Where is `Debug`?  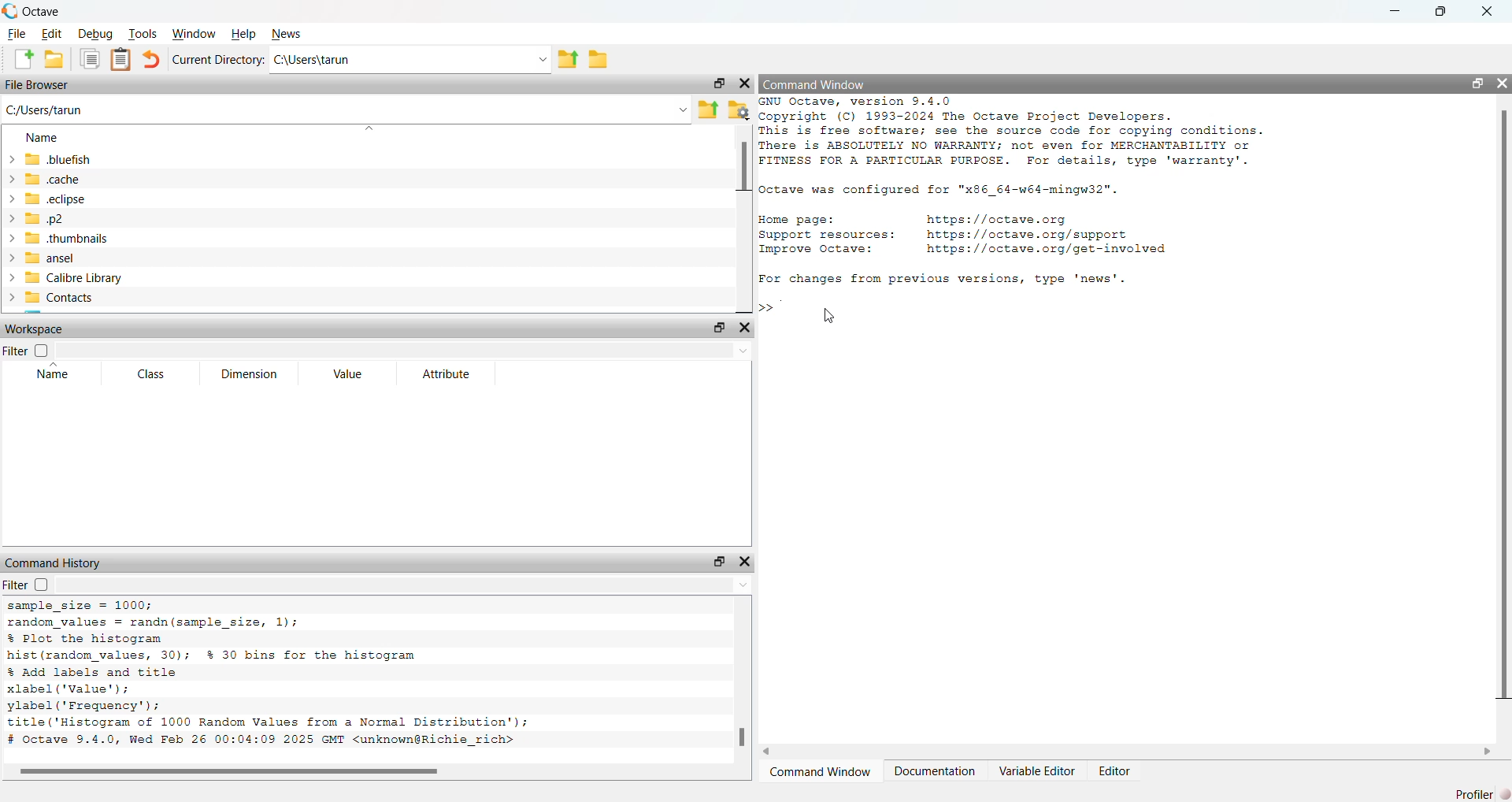 Debug is located at coordinates (94, 34).